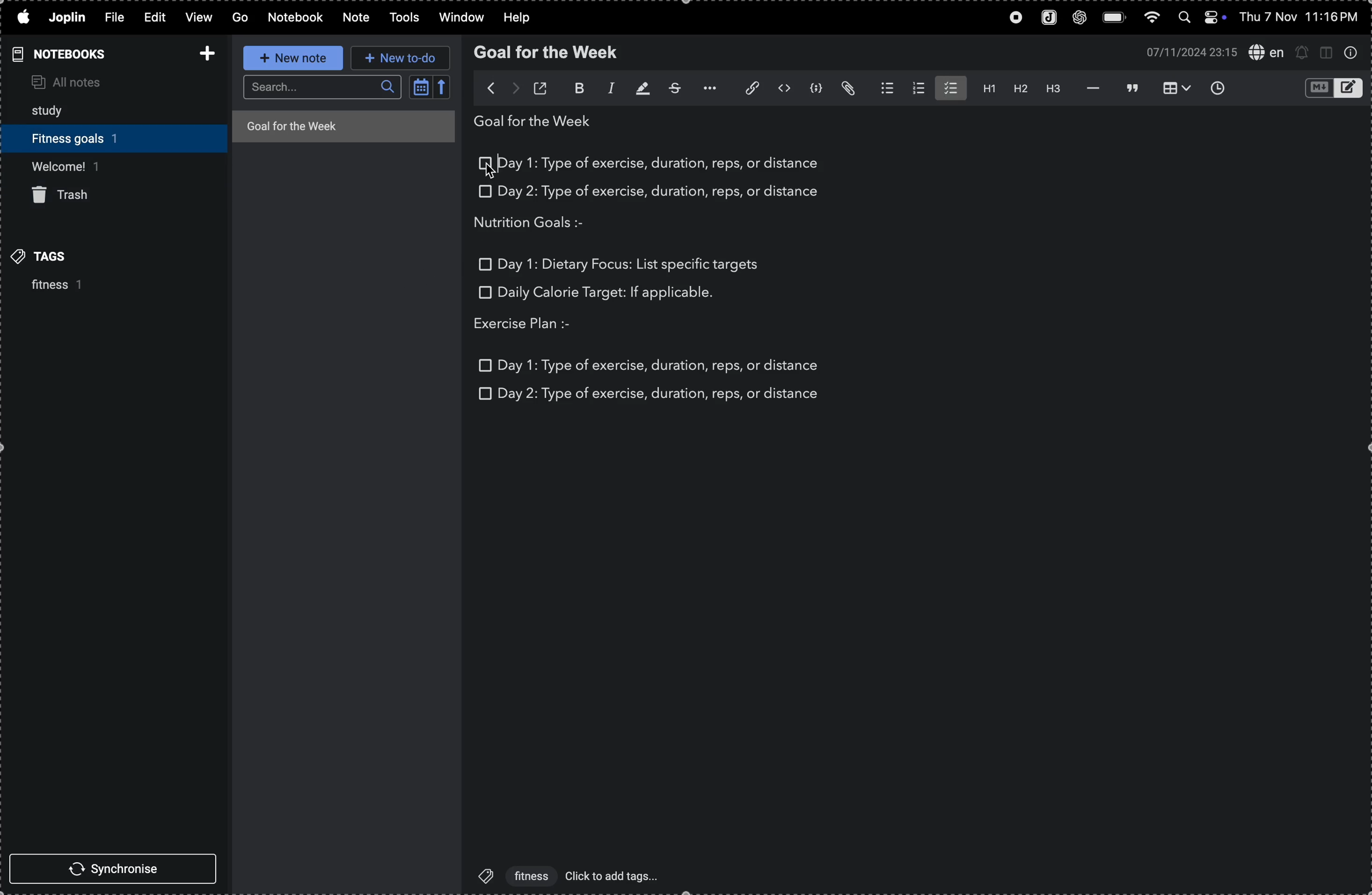 This screenshot has width=1372, height=895. I want to click on info, so click(1354, 54).